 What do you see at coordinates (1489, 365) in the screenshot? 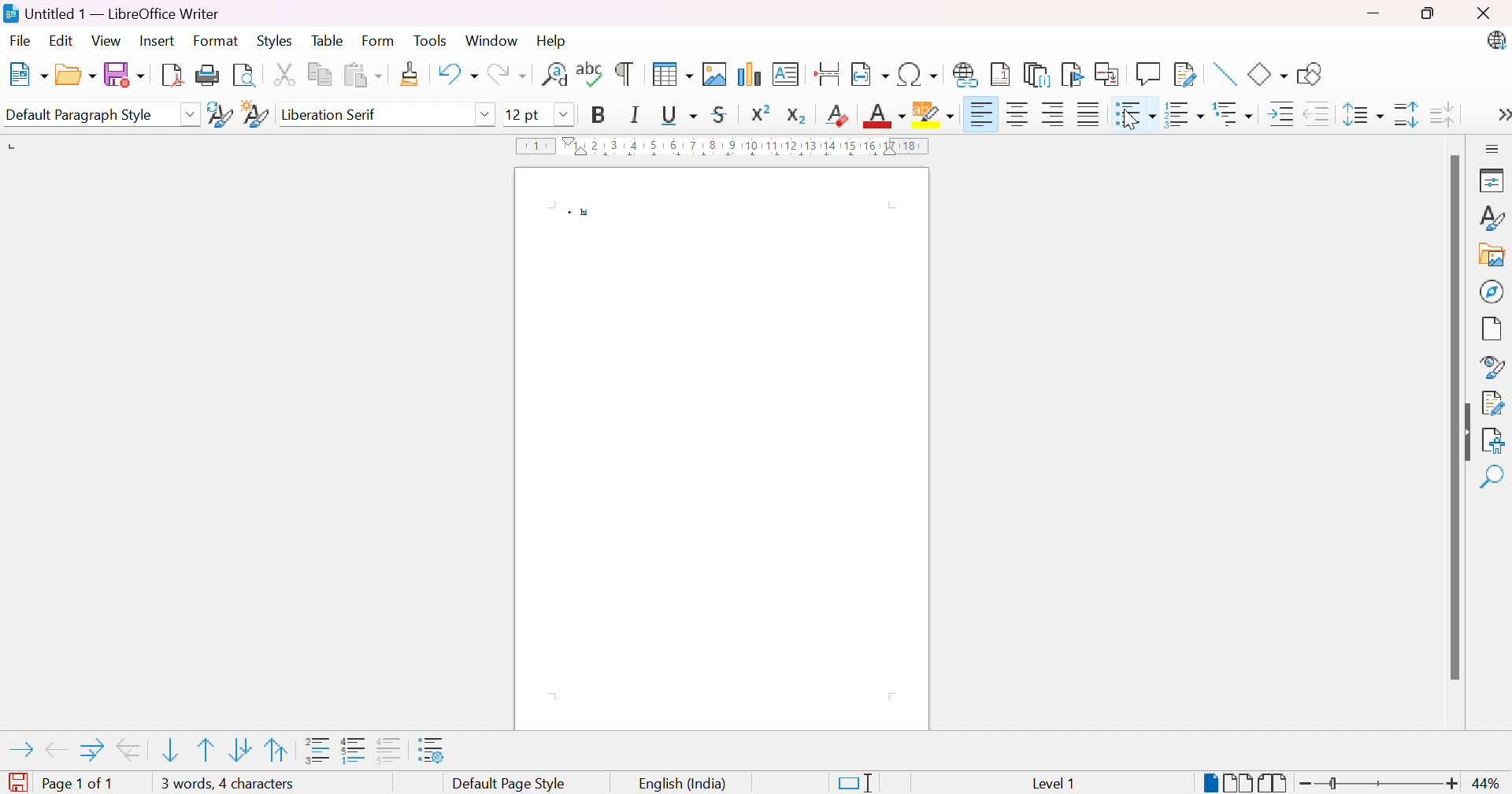
I see `Style inspector` at bounding box center [1489, 365].